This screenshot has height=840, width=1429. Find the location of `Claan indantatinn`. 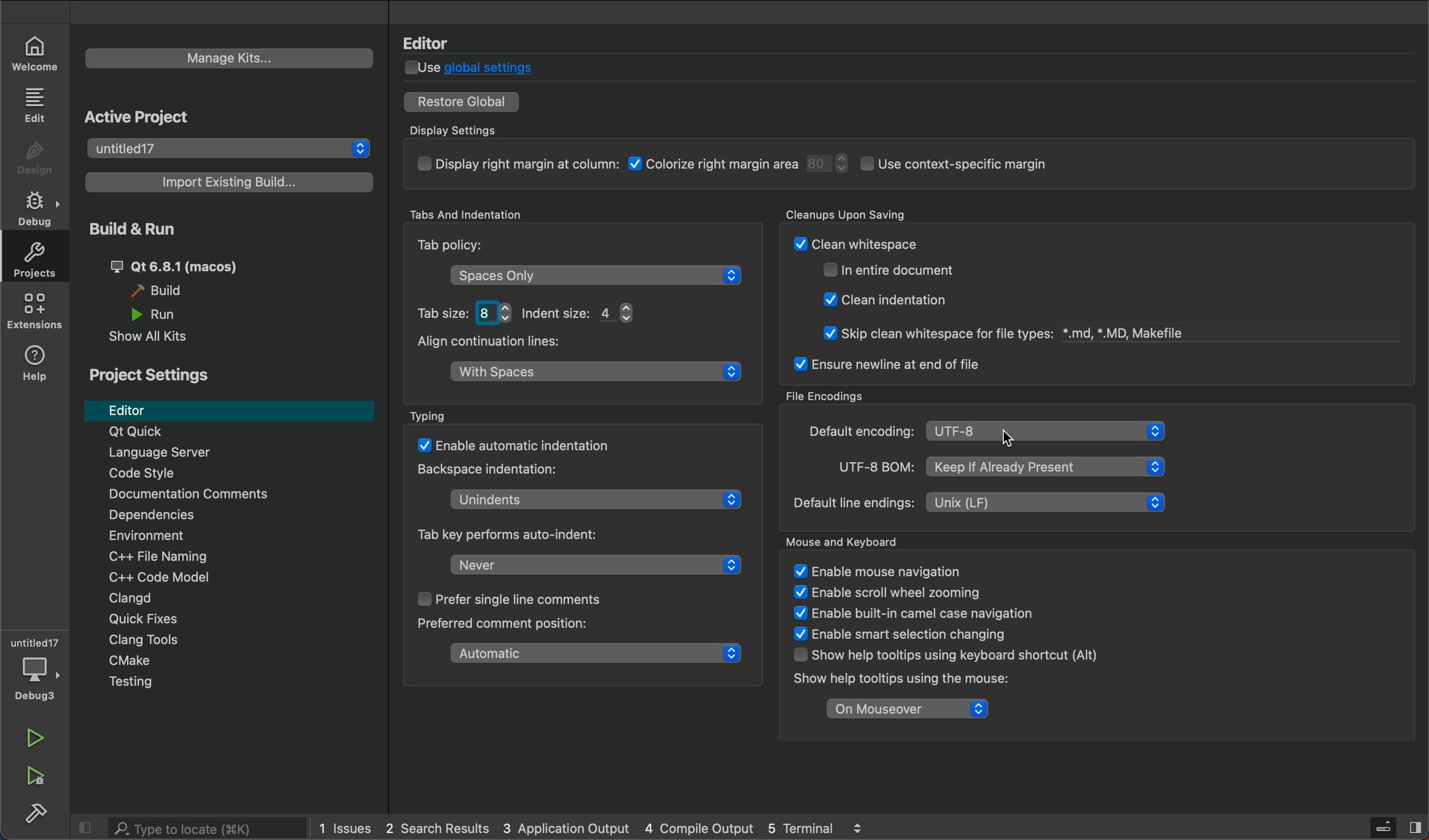

Claan indantatinn is located at coordinates (900, 269).